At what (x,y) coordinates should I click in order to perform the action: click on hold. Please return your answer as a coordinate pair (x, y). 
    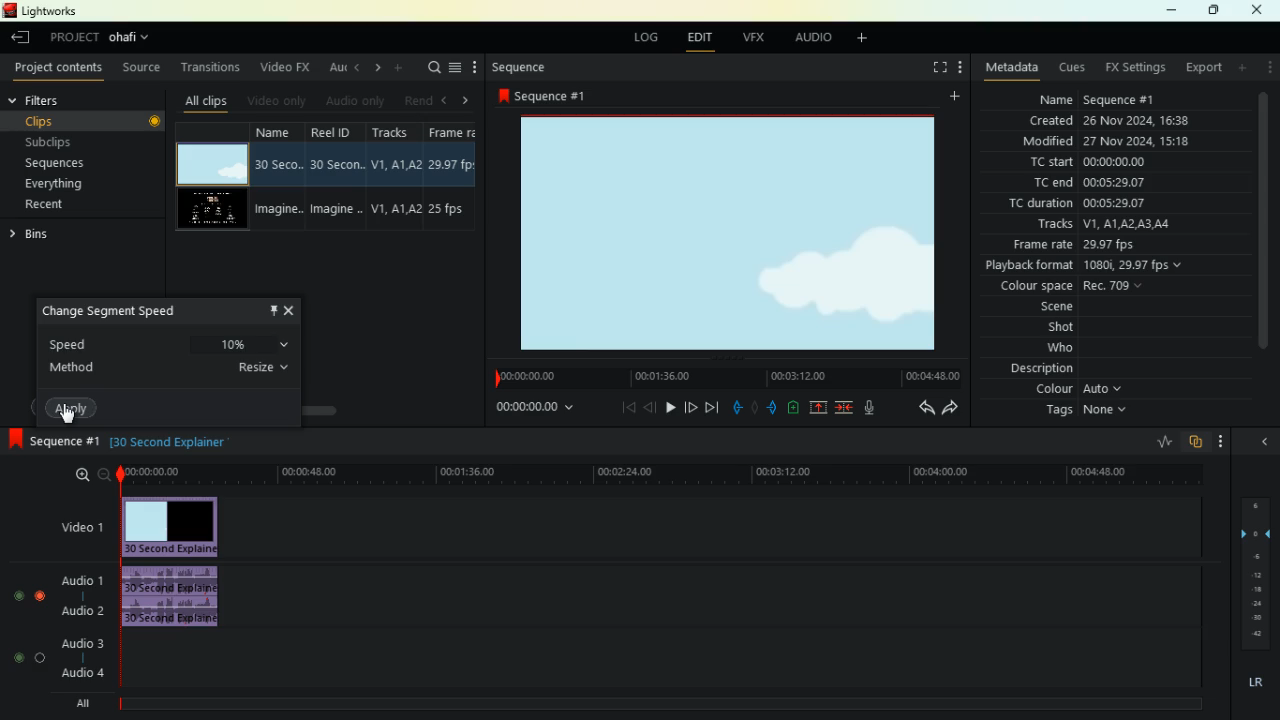
    Looking at the image, I should click on (754, 406).